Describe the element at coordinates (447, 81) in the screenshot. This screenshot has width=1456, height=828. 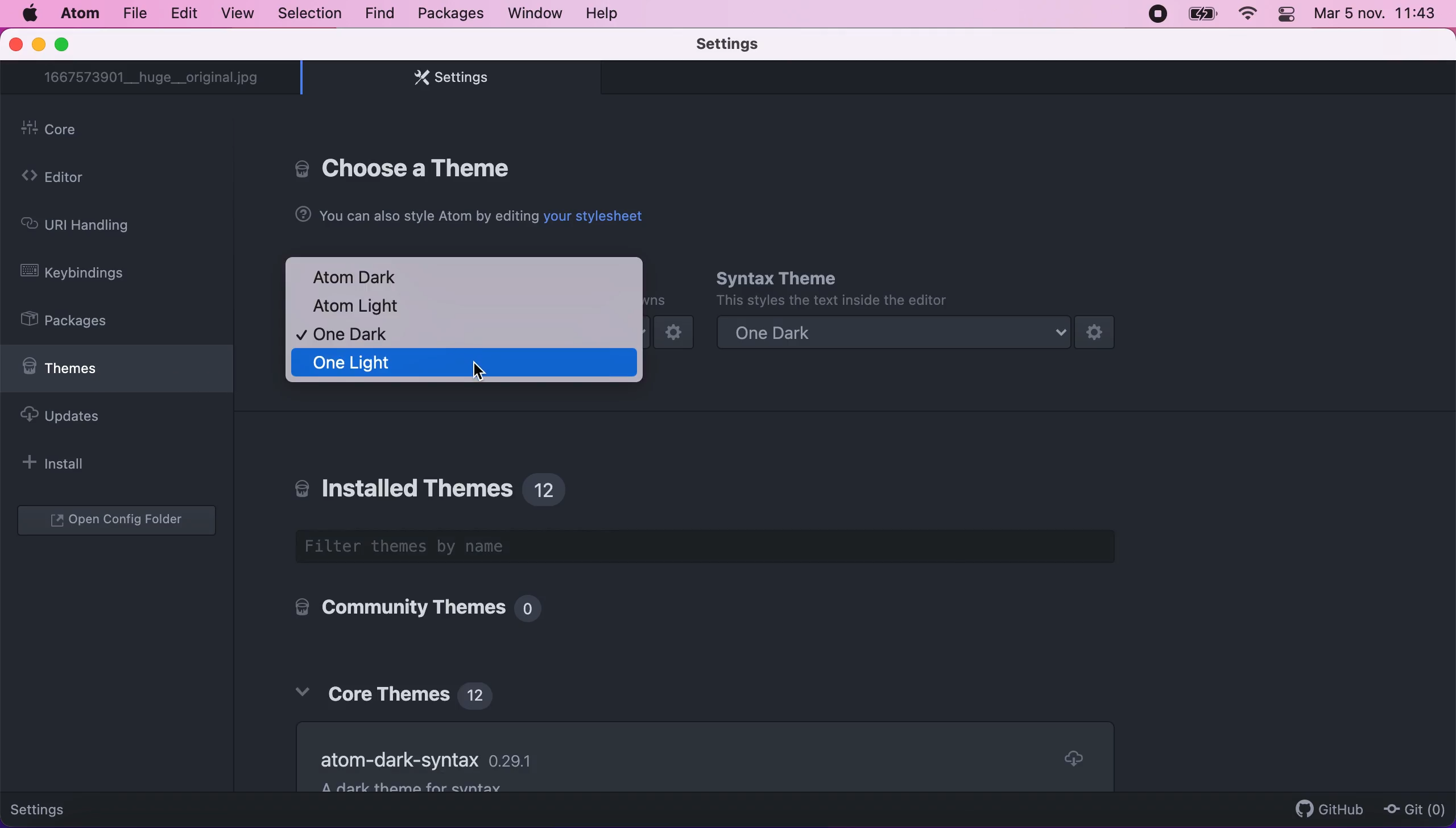
I see `settings` at that location.